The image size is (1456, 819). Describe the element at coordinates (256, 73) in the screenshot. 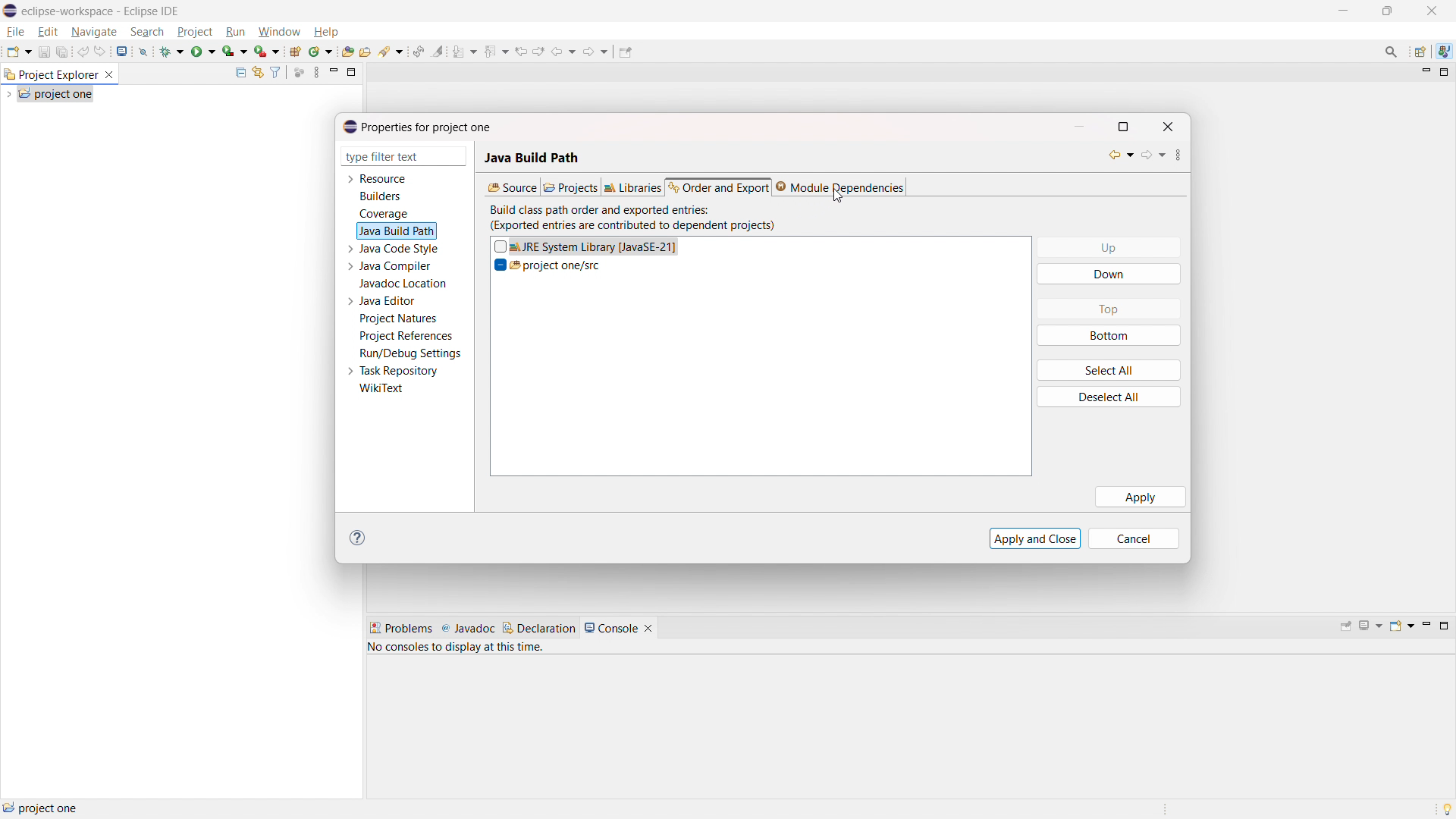

I see `link to editor` at that location.